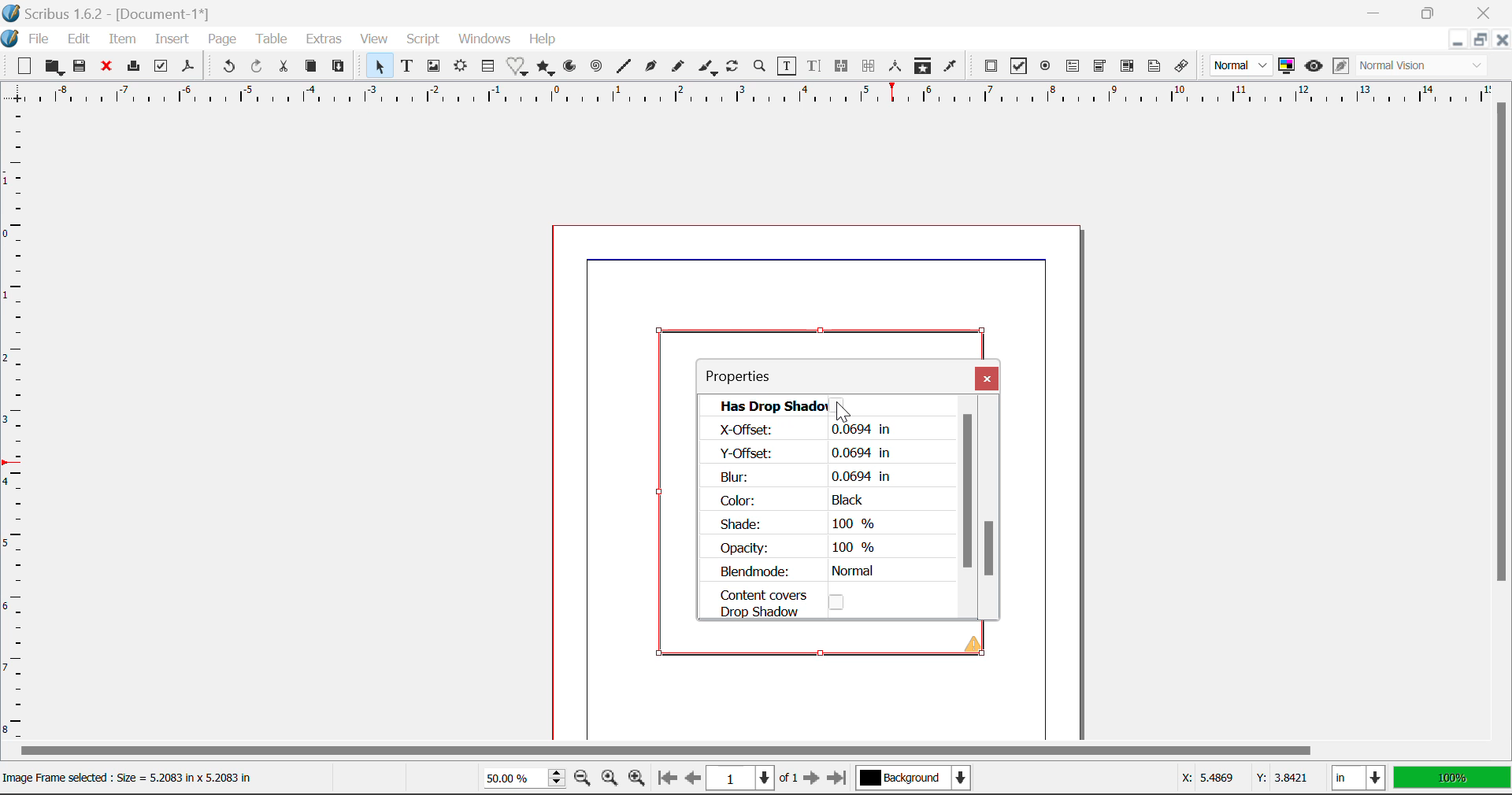 The height and width of the screenshot is (795, 1512). Describe the element at coordinates (161, 68) in the screenshot. I see `Preflight Verifier` at that location.